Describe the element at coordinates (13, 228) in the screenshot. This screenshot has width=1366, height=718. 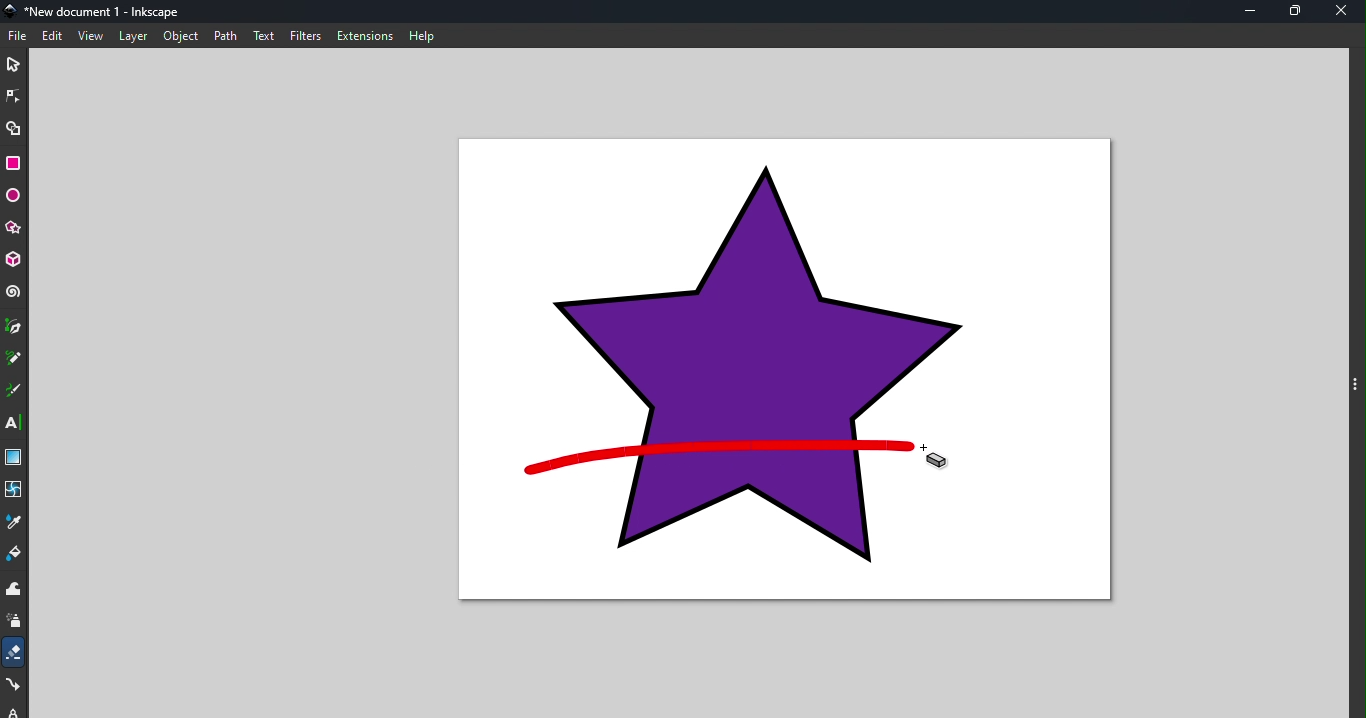
I see `star/polygon` at that location.